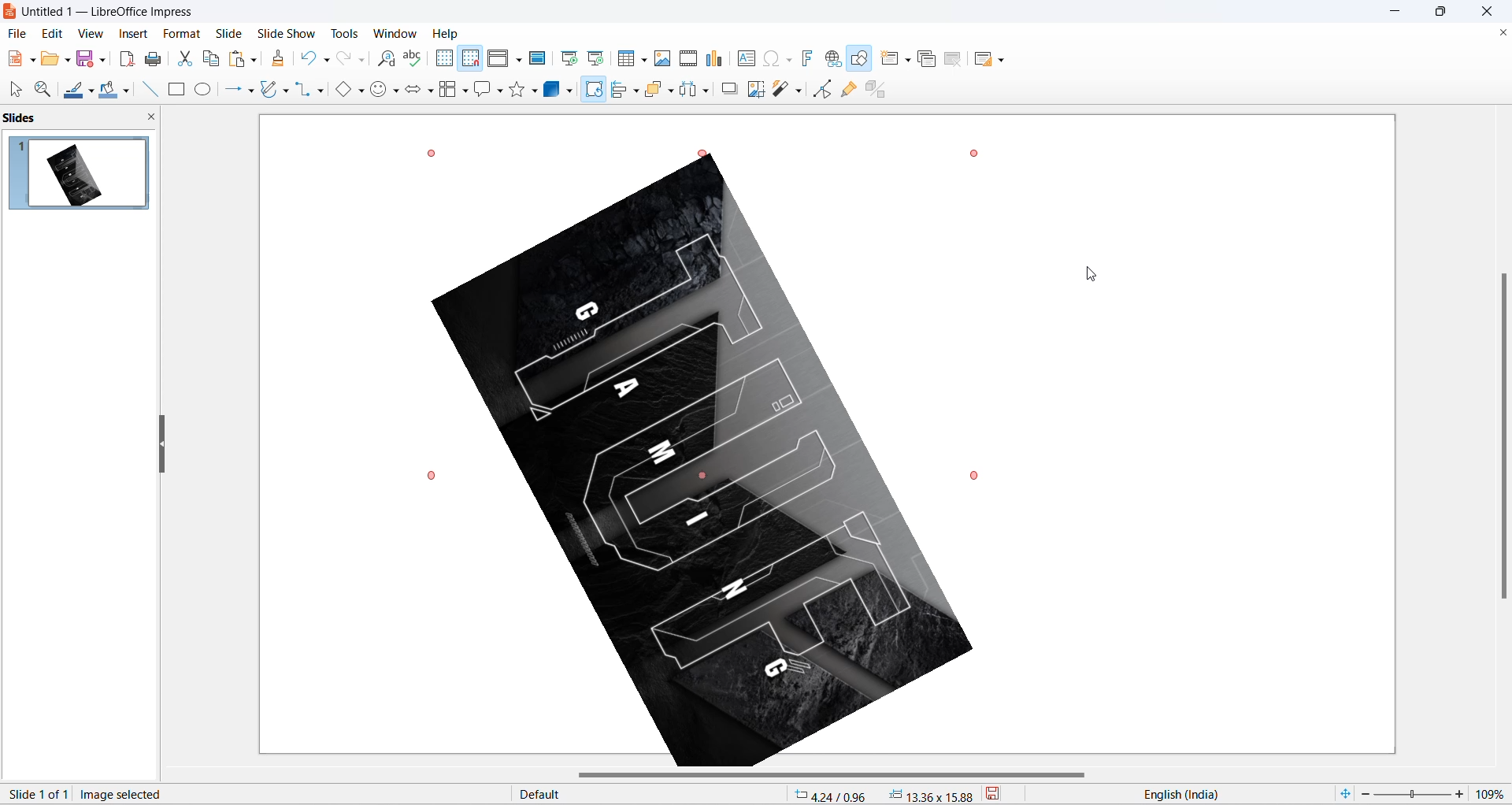 Image resolution: width=1512 pixels, height=805 pixels. I want to click on insert text, so click(744, 58).